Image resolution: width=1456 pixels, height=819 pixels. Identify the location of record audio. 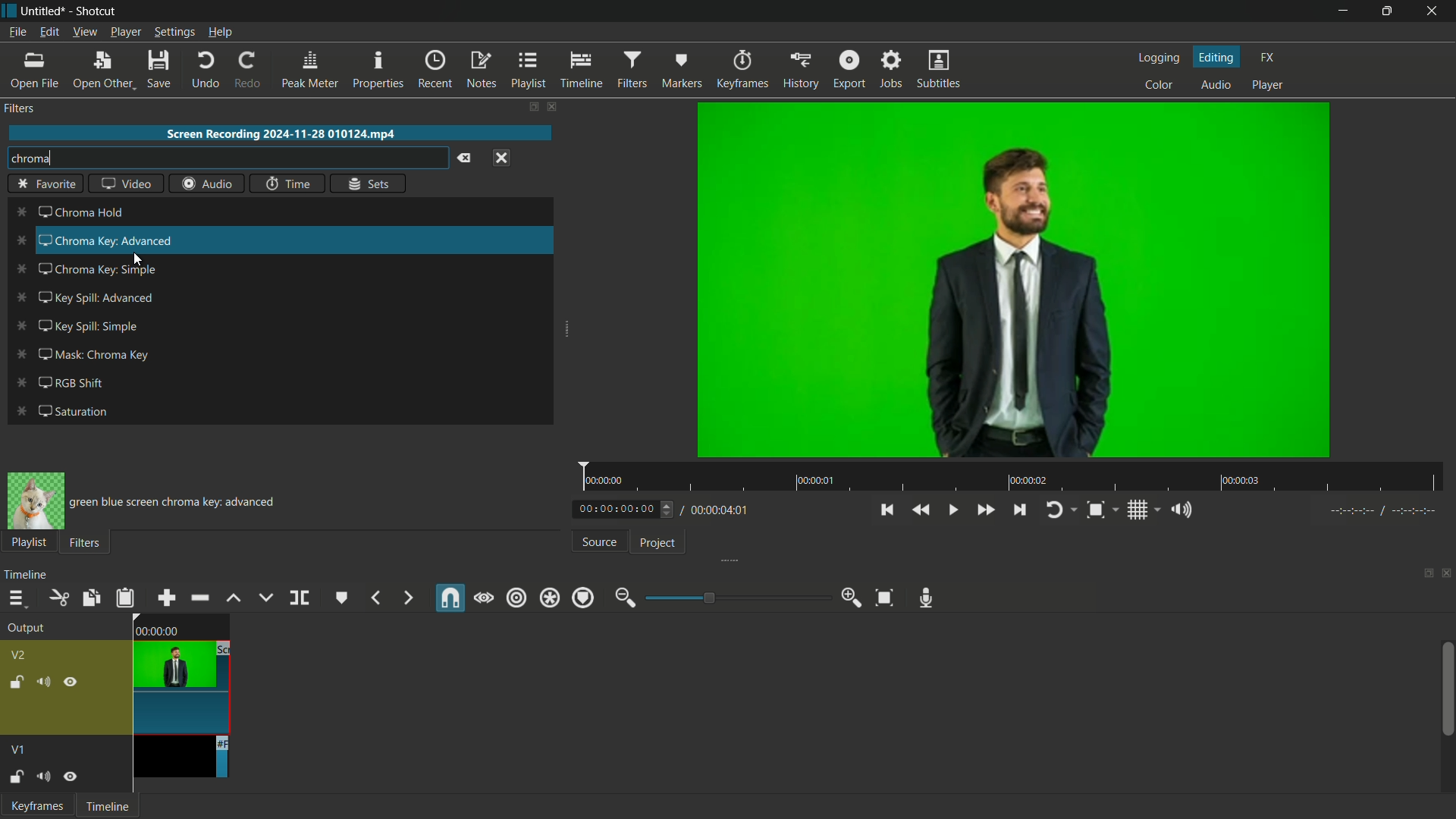
(929, 598).